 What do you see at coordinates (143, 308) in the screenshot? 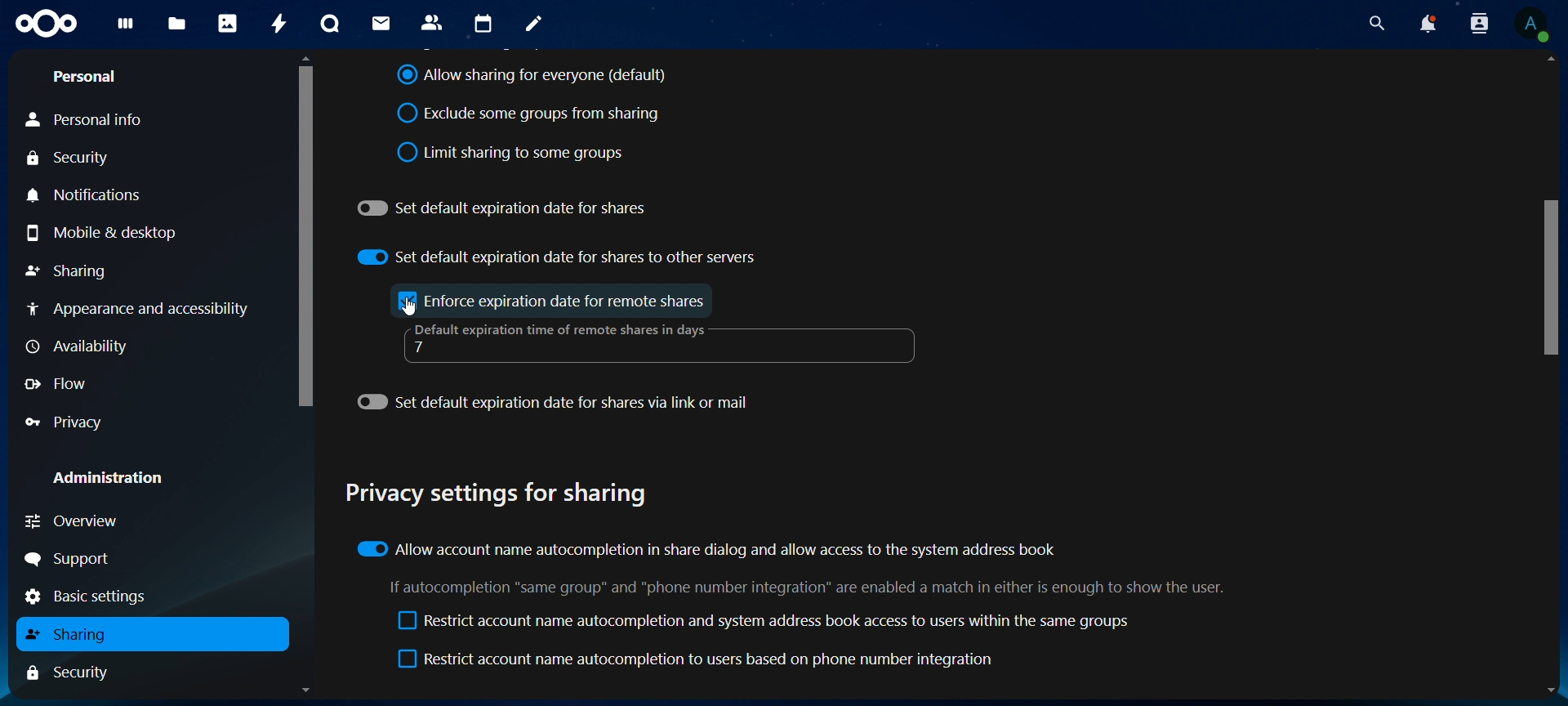
I see `appearance and accessibility` at bounding box center [143, 308].